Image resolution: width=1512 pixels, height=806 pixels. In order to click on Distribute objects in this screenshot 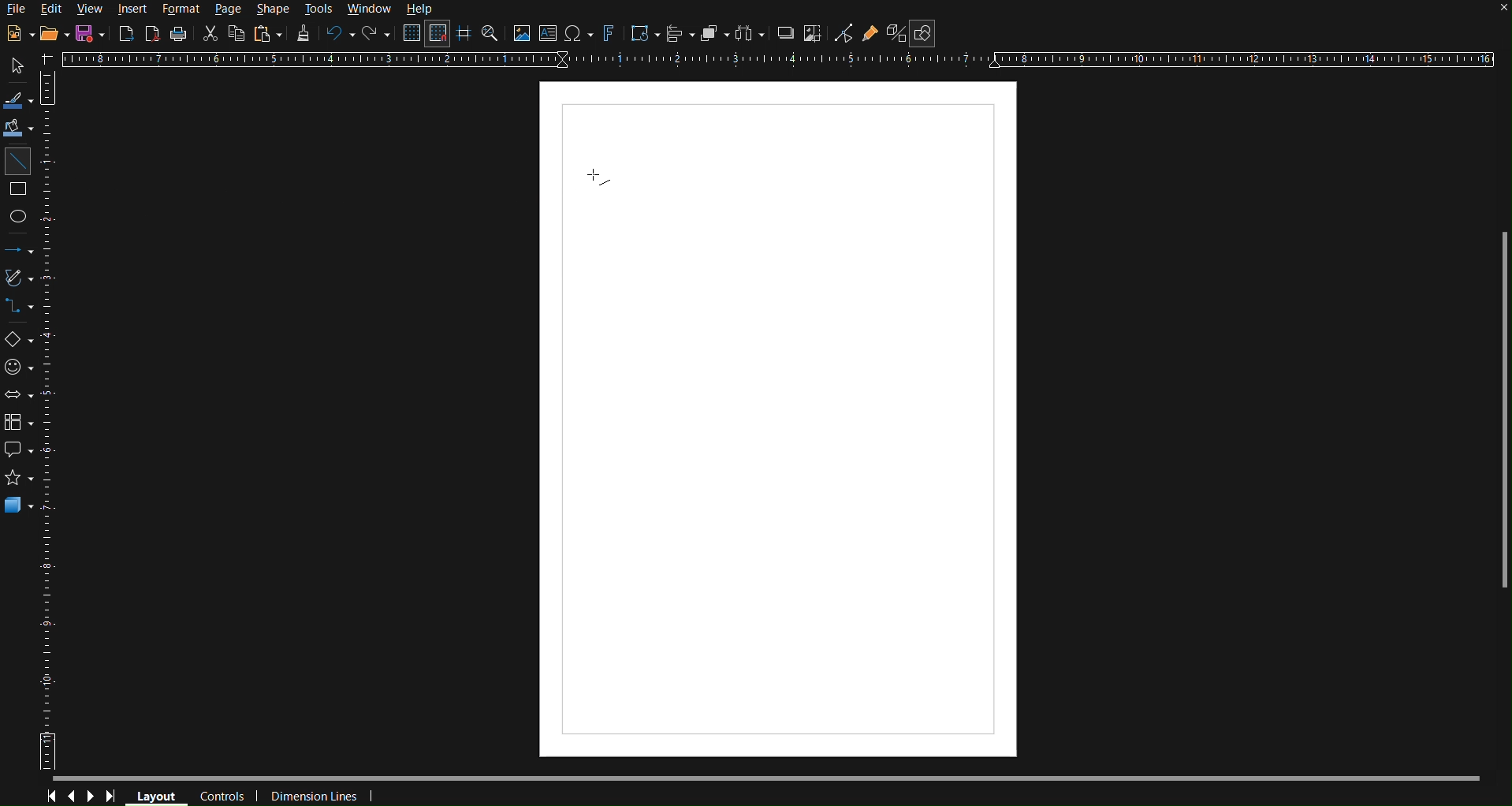, I will do `click(752, 33)`.